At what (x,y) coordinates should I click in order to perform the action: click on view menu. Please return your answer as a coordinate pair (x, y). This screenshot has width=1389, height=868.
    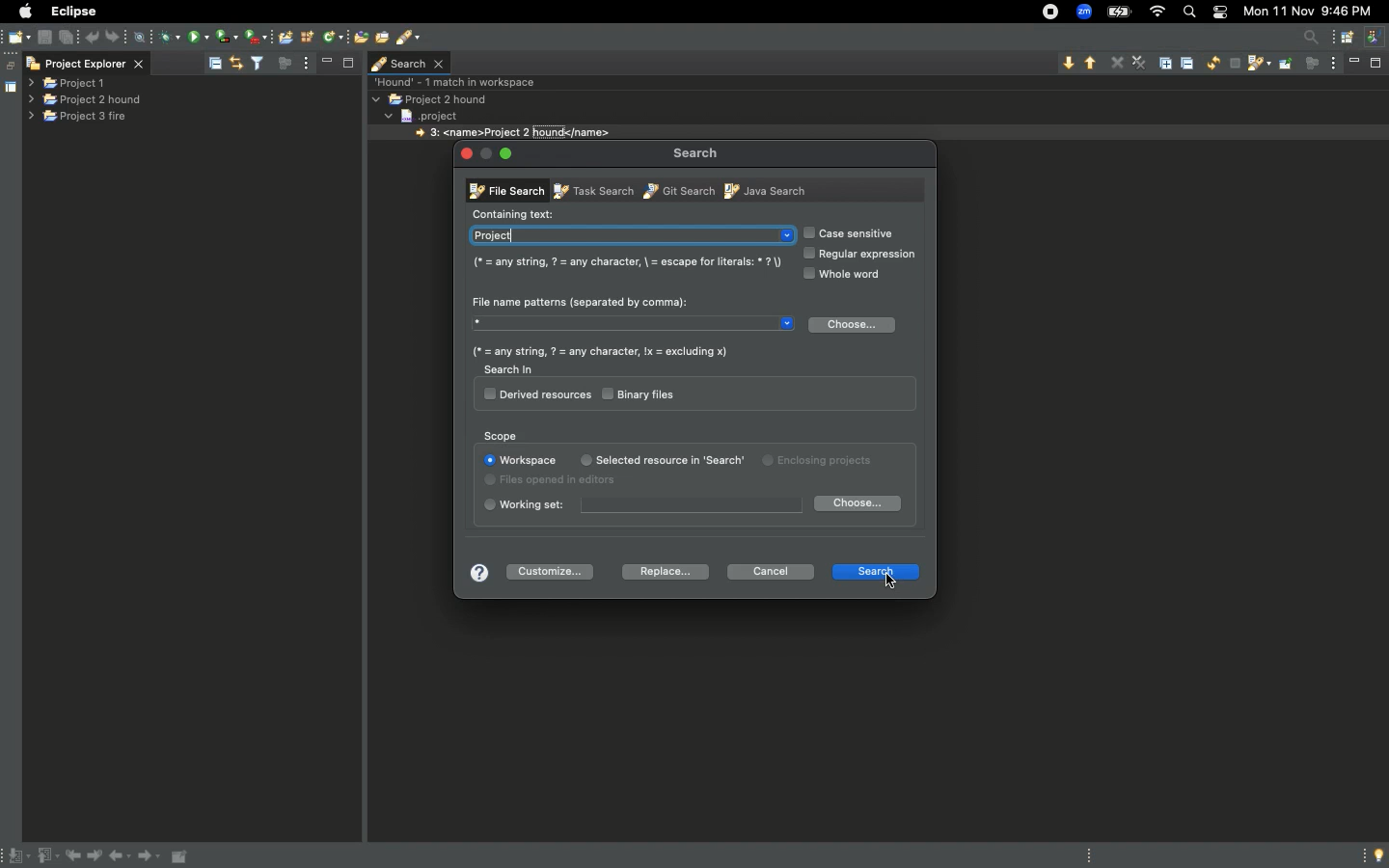
    Looking at the image, I should click on (1335, 63).